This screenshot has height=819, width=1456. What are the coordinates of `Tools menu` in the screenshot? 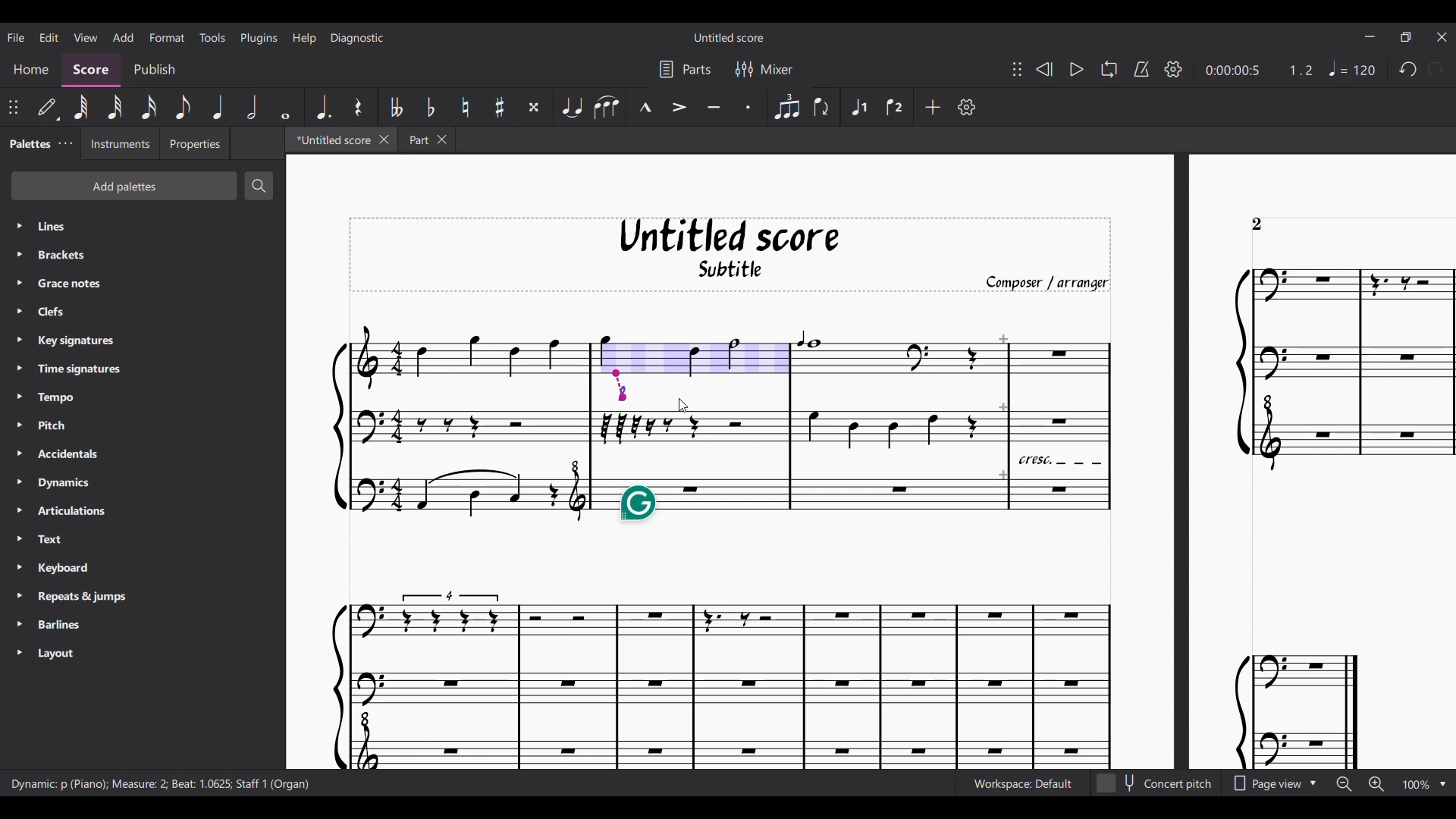 It's located at (212, 37).